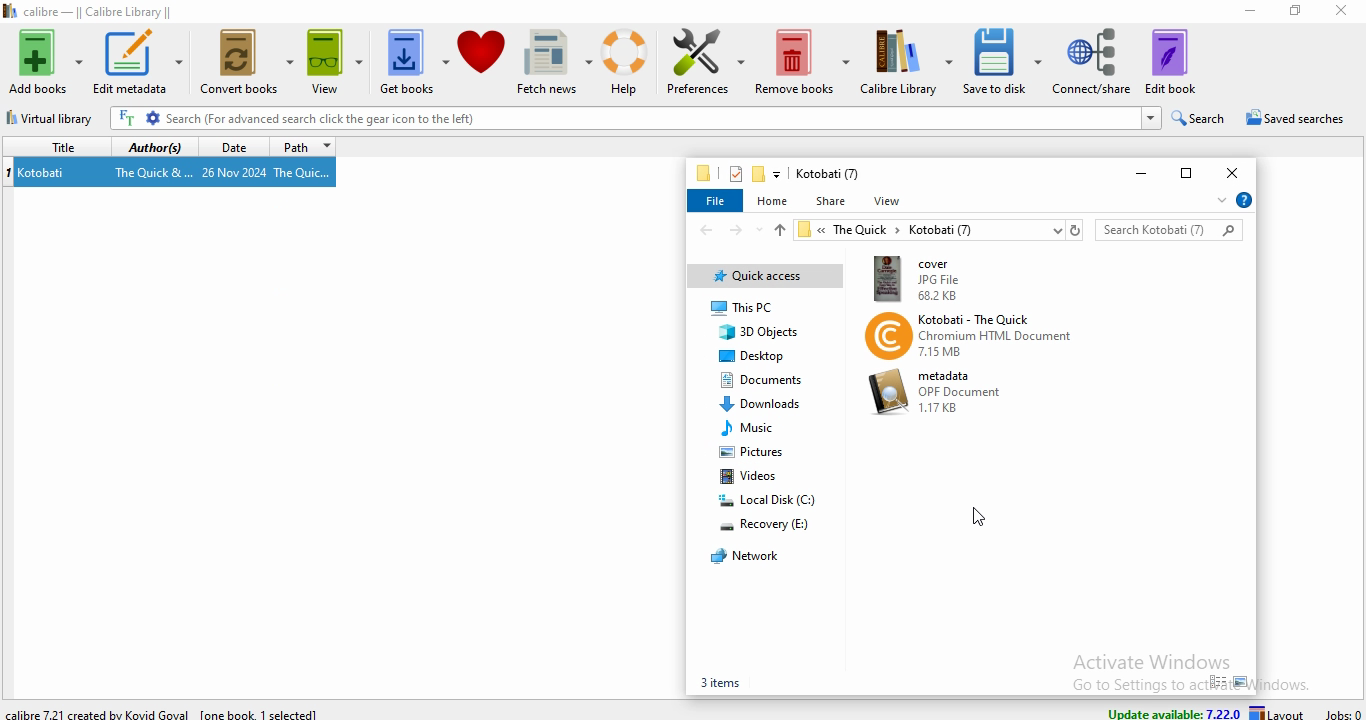 This screenshot has width=1366, height=720. Describe the element at coordinates (481, 61) in the screenshot. I see `donate to calibre` at that location.